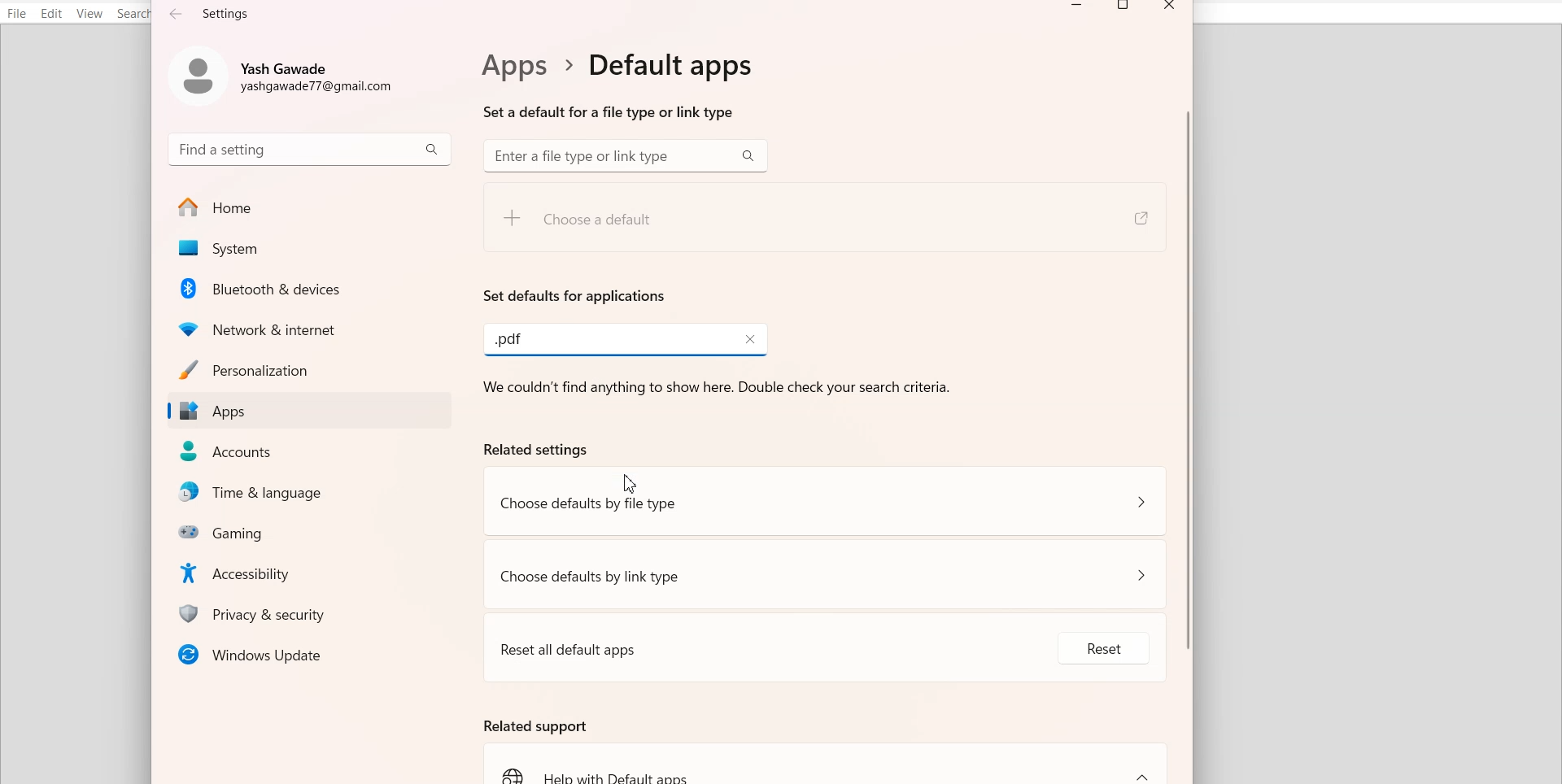 This screenshot has width=1562, height=784. What do you see at coordinates (211, 13) in the screenshot?
I see `Text` at bounding box center [211, 13].